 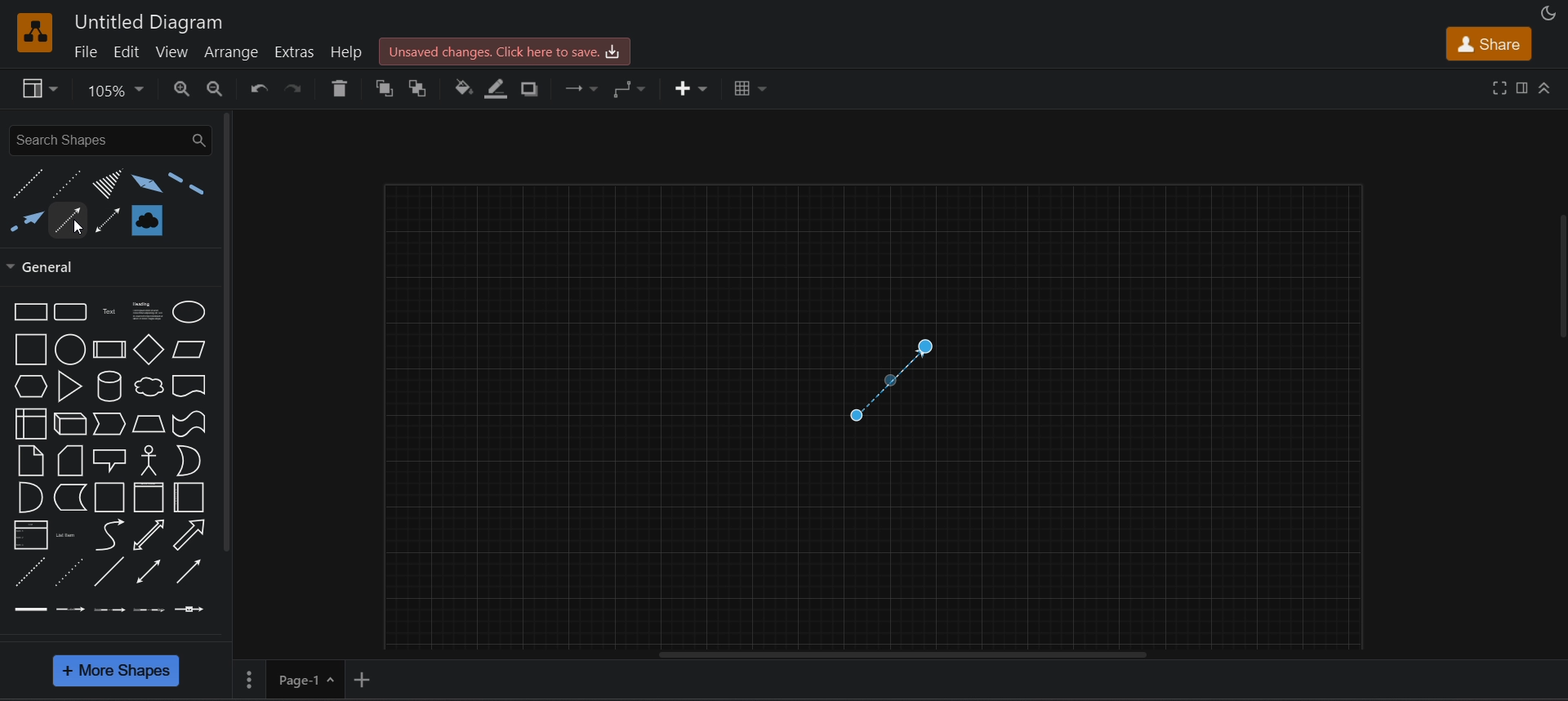 What do you see at coordinates (72, 312) in the screenshot?
I see `rounded rectangle` at bounding box center [72, 312].